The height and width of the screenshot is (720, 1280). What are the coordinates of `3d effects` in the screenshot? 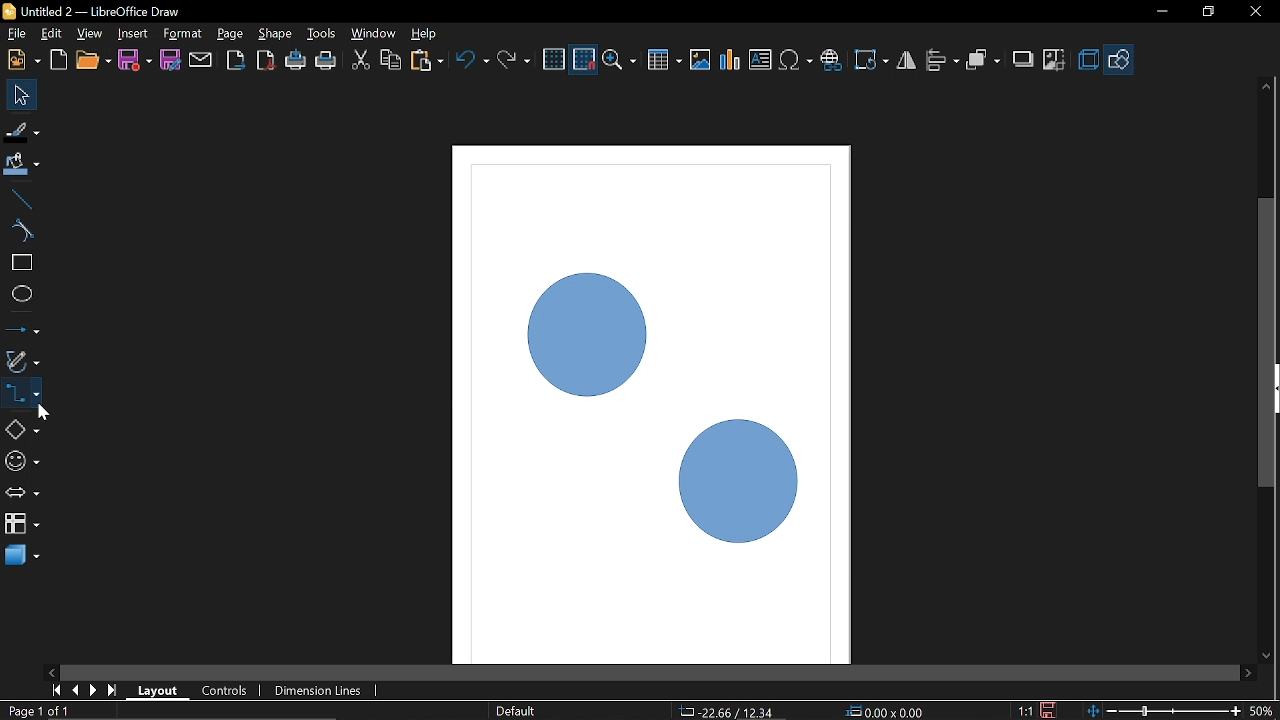 It's located at (1090, 60).